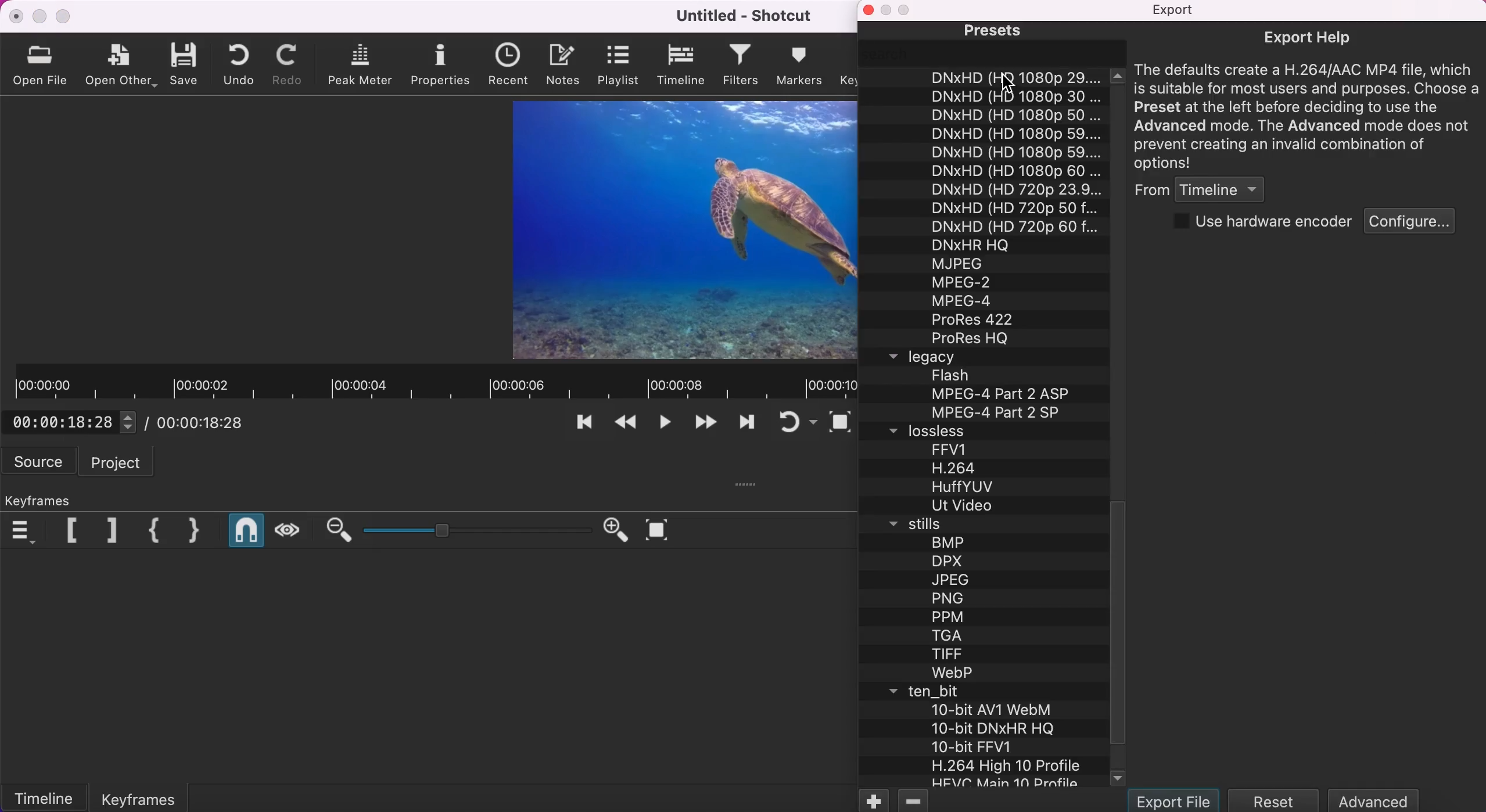 This screenshot has width=1486, height=812. Describe the element at coordinates (794, 423) in the screenshot. I see `toggle player looping` at that location.